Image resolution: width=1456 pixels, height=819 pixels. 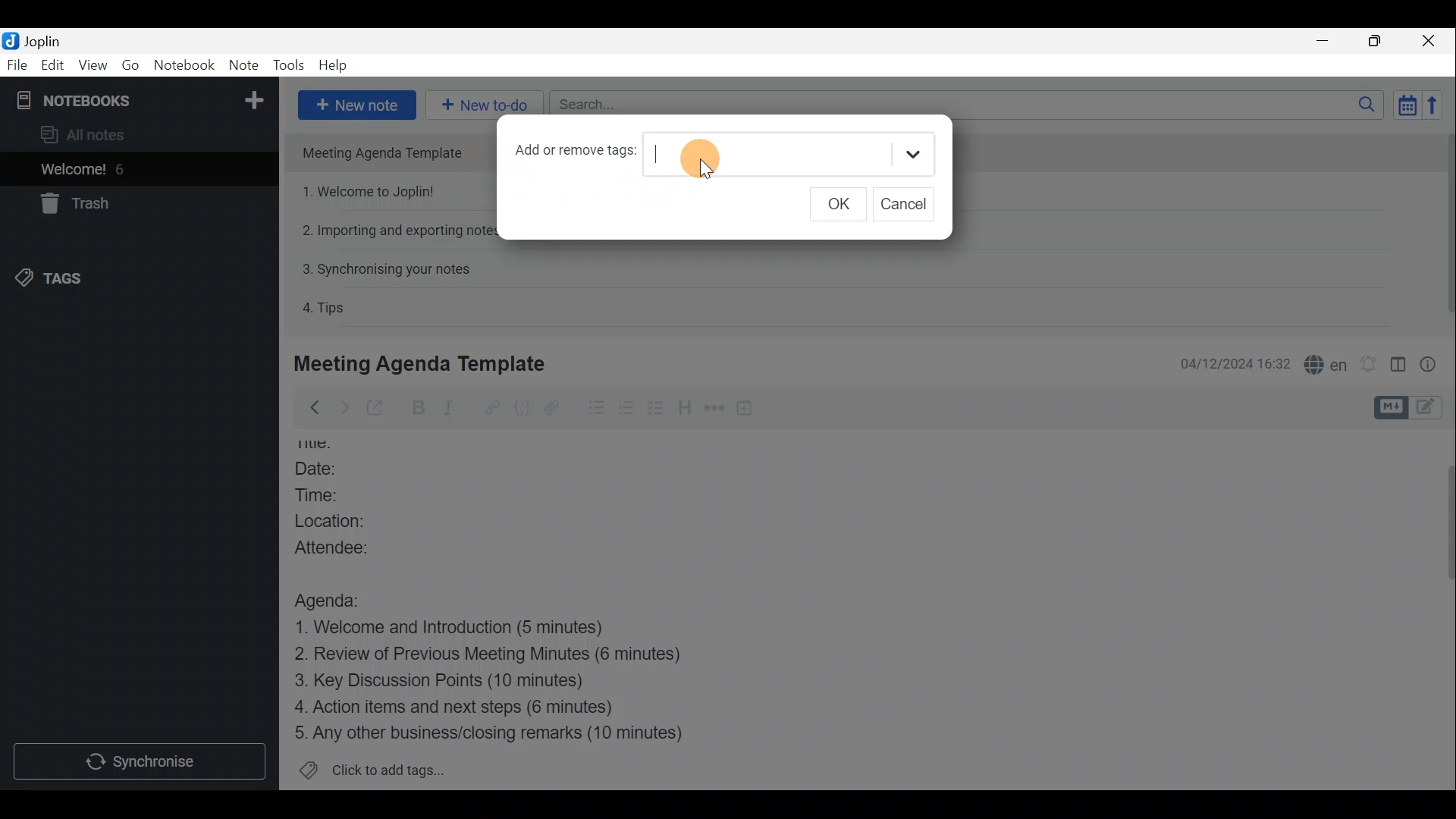 What do you see at coordinates (393, 767) in the screenshot?
I see `Click to add tags` at bounding box center [393, 767].